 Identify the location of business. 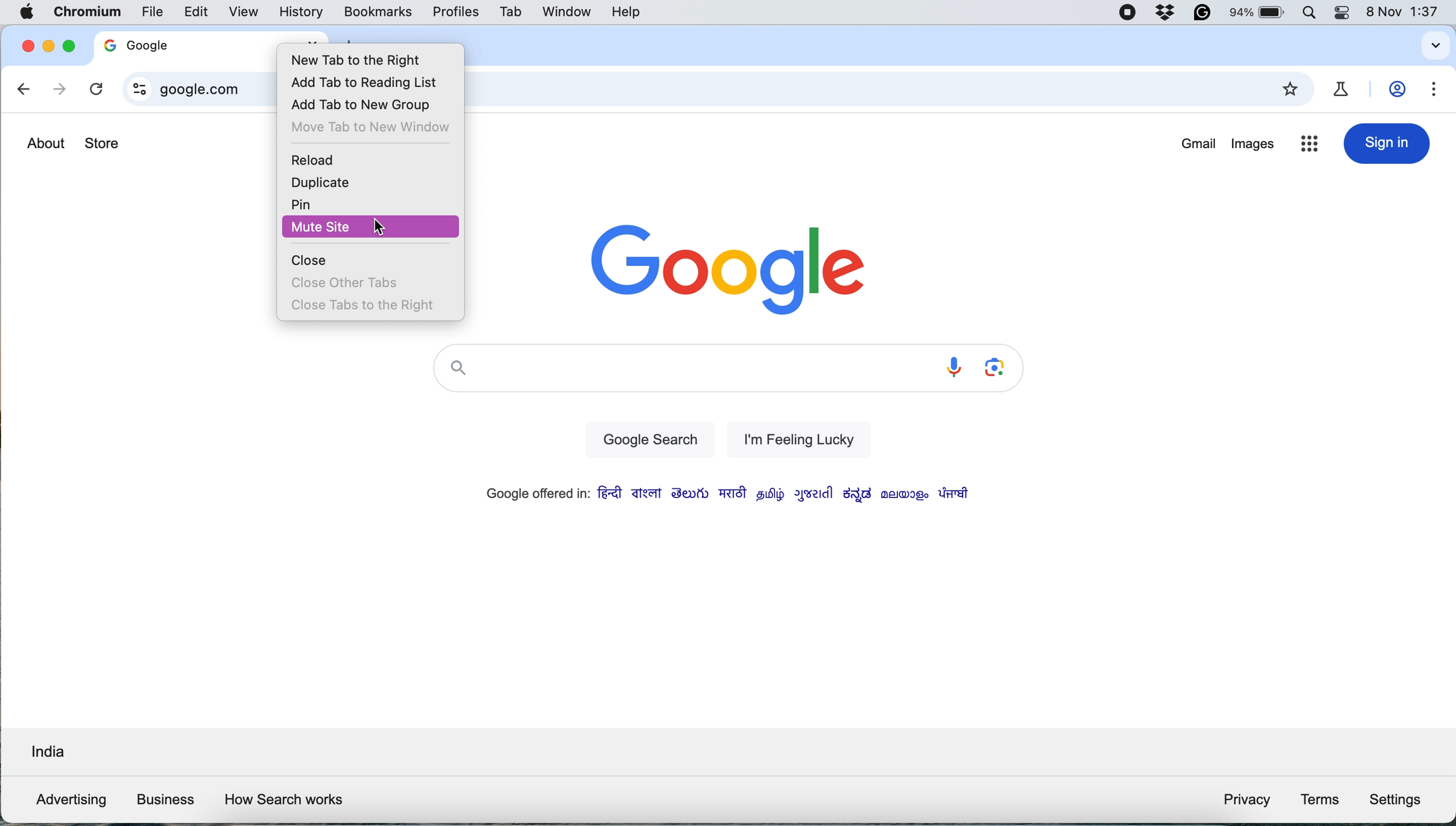
(164, 799).